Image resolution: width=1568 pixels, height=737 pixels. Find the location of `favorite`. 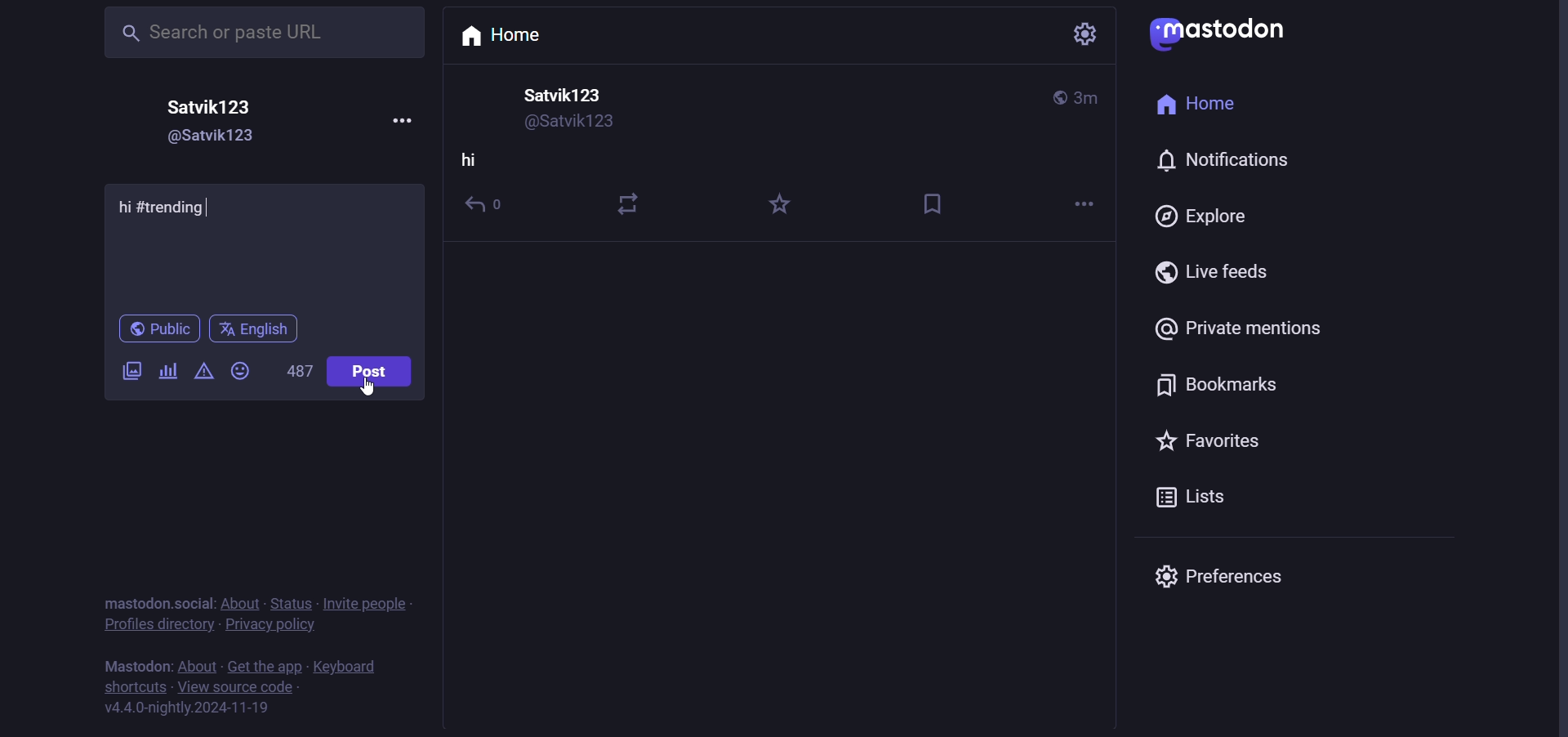

favorite is located at coordinates (1223, 446).